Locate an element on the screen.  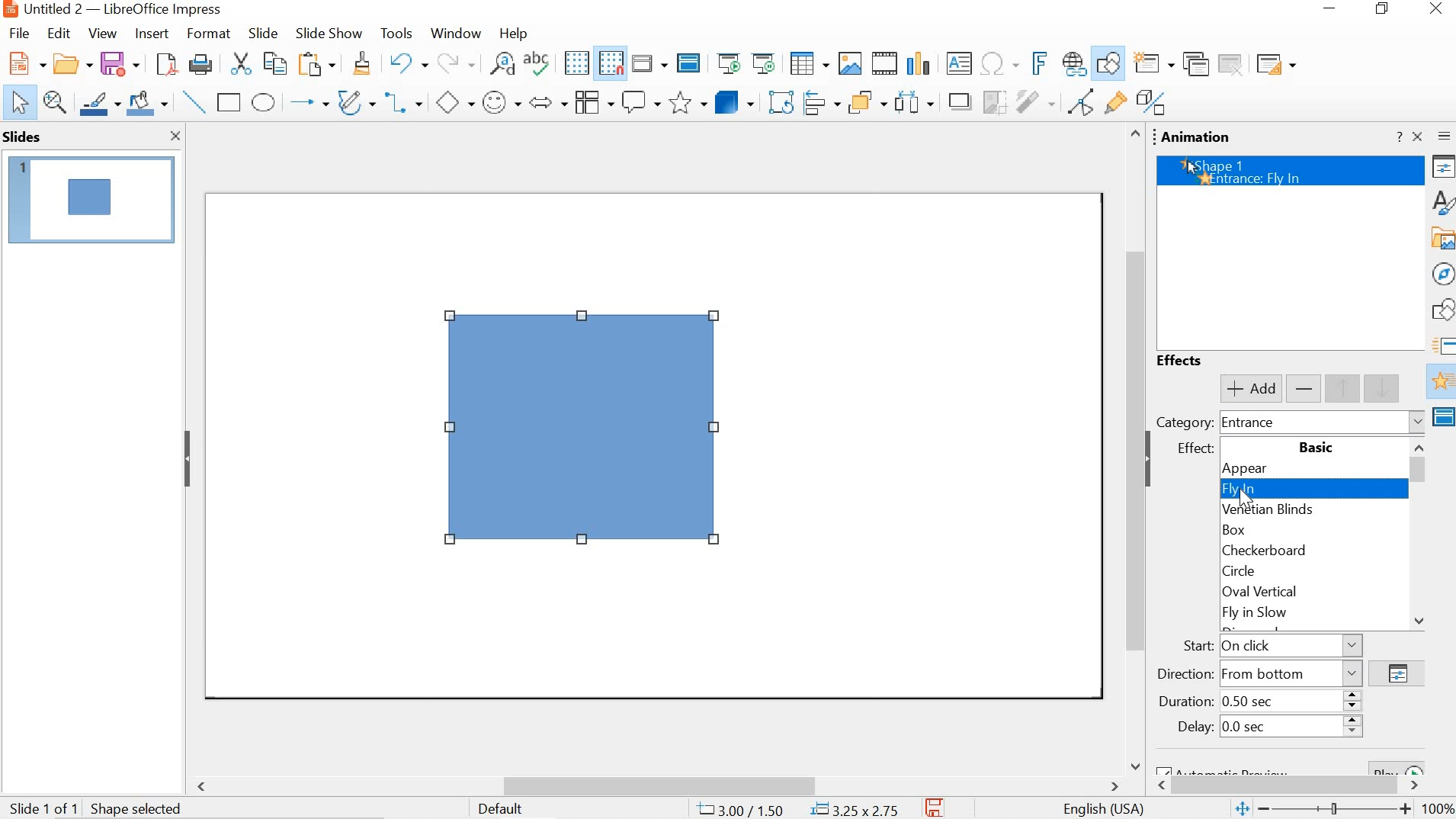
checkerboard is located at coordinates (1304, 550).